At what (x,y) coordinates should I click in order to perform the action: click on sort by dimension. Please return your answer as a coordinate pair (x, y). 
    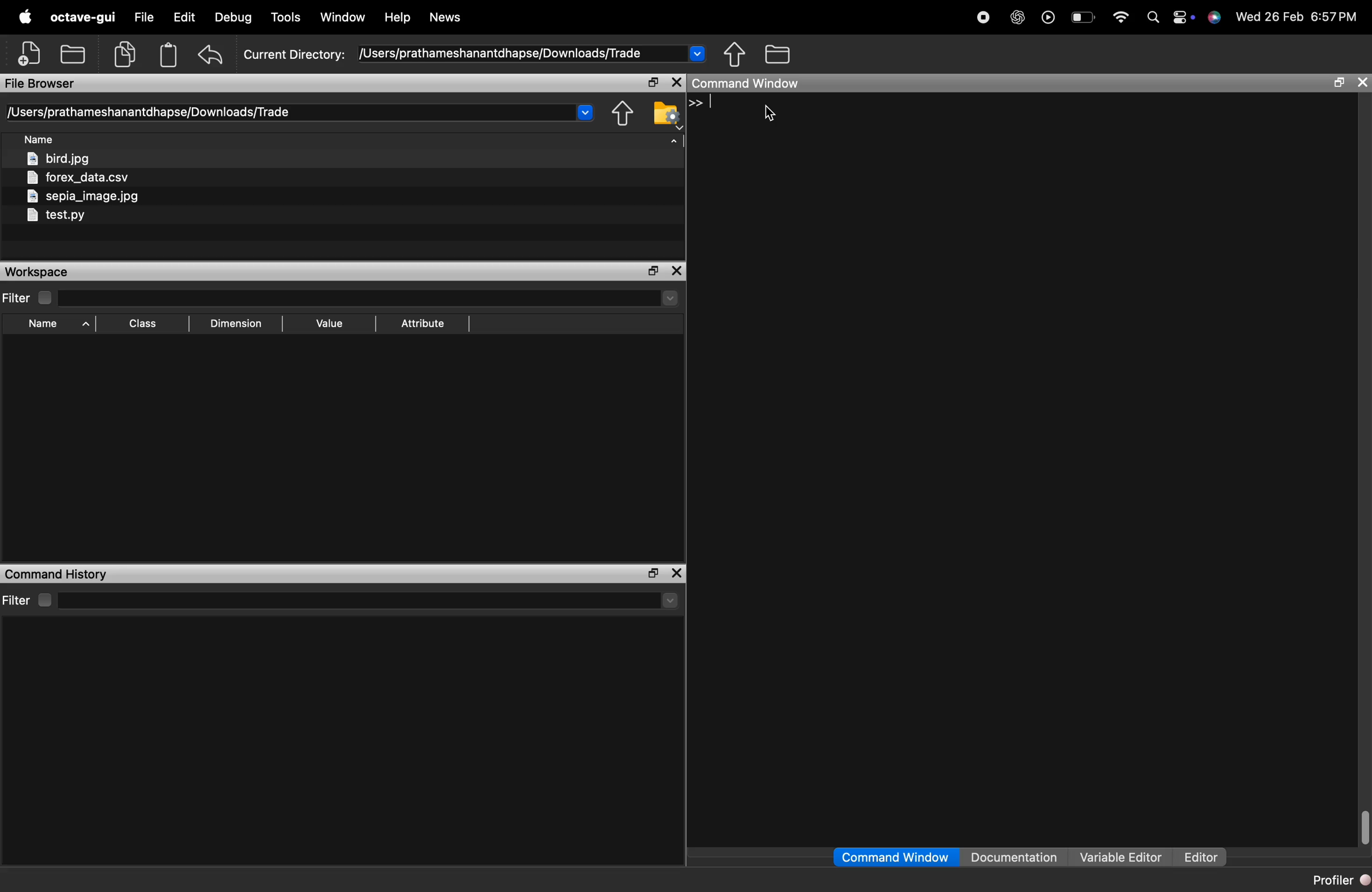
    Looking at the image, I should click on (236, 324).